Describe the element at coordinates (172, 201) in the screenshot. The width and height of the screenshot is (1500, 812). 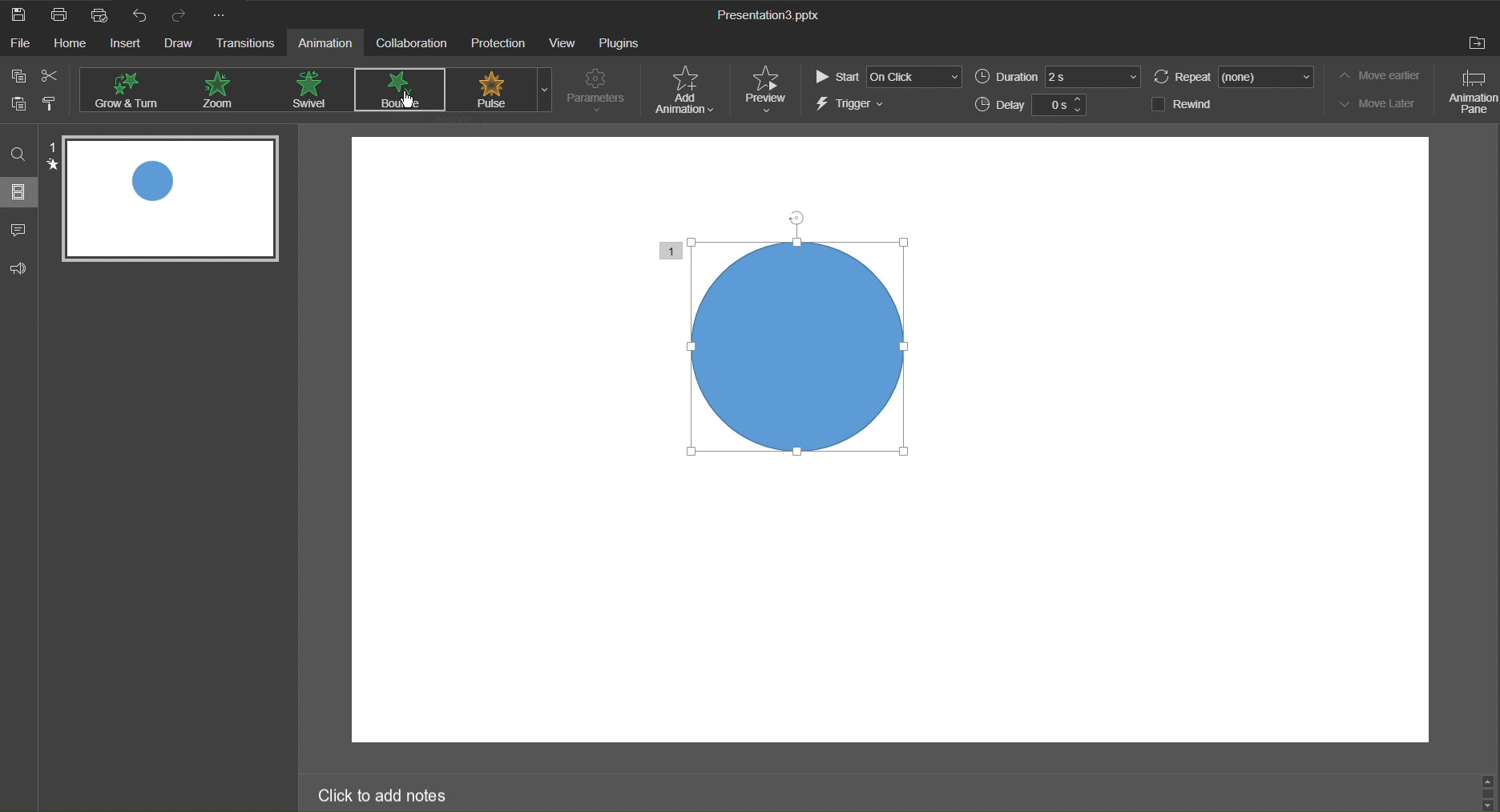
I see `Slide 1` at that location.